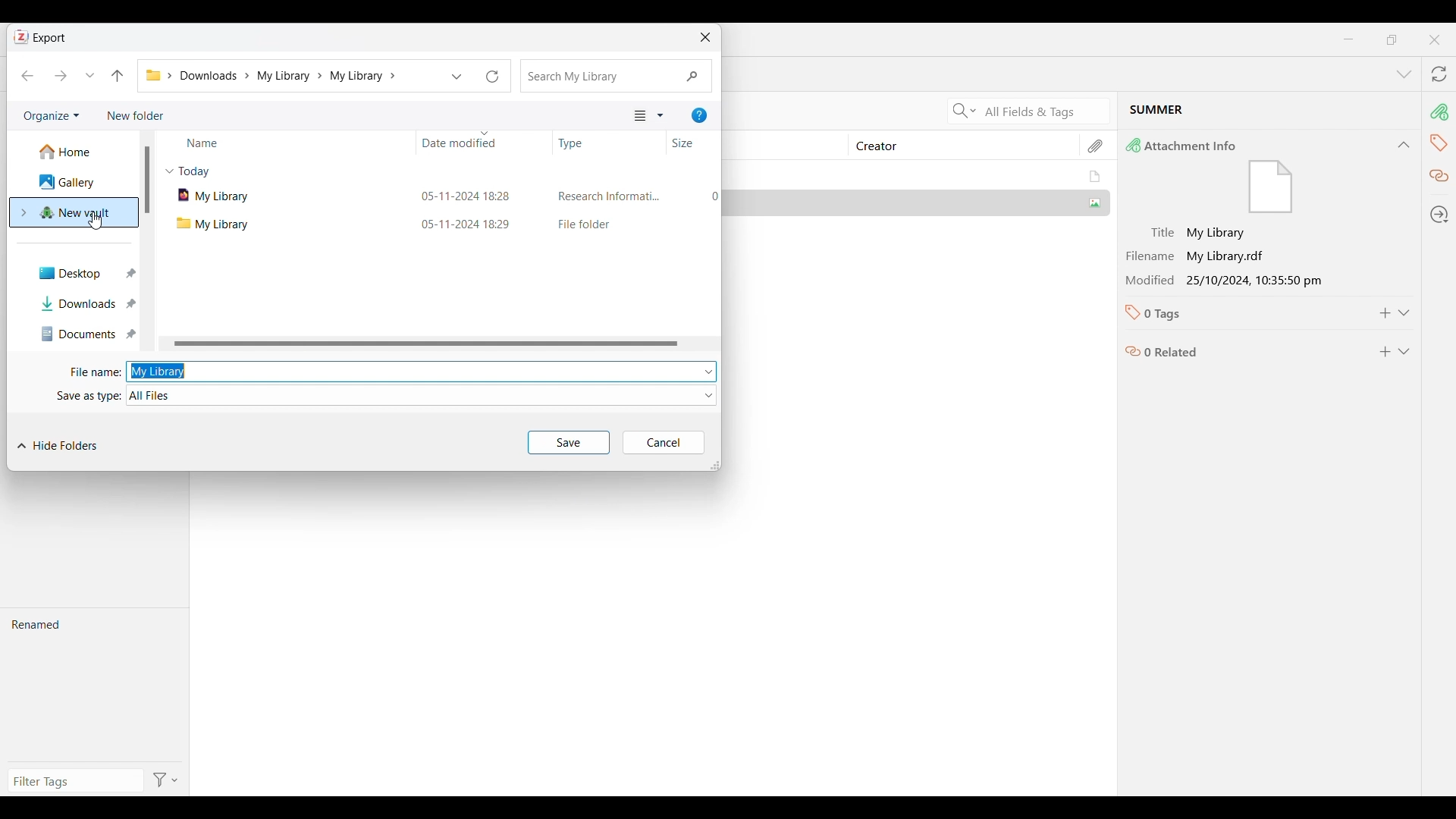  Describe the element at coordinates (27, 76) in the screenshot. I see `Back` at that location.